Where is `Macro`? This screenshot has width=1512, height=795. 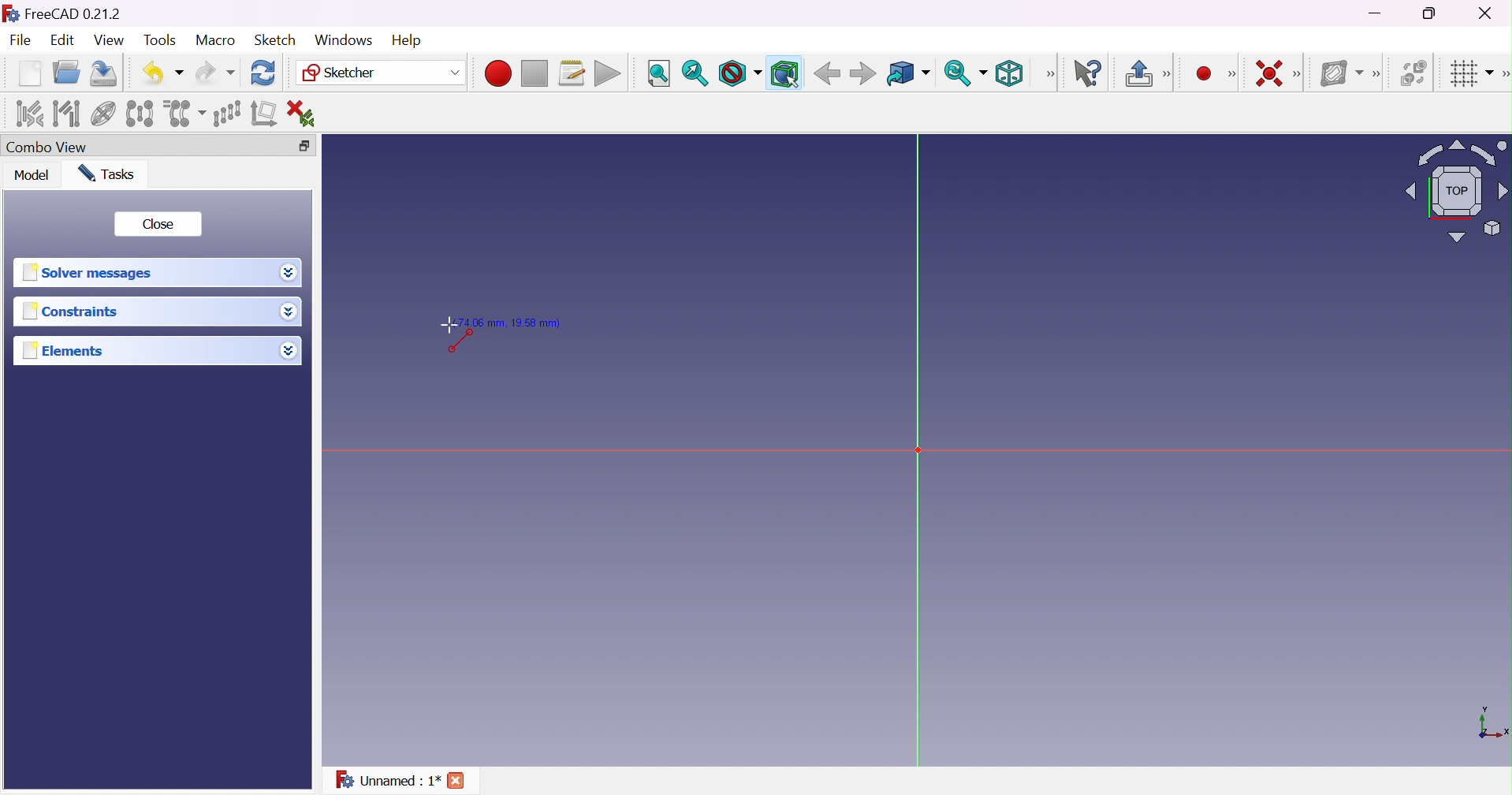 Macro is located at coordinates (214, 40).